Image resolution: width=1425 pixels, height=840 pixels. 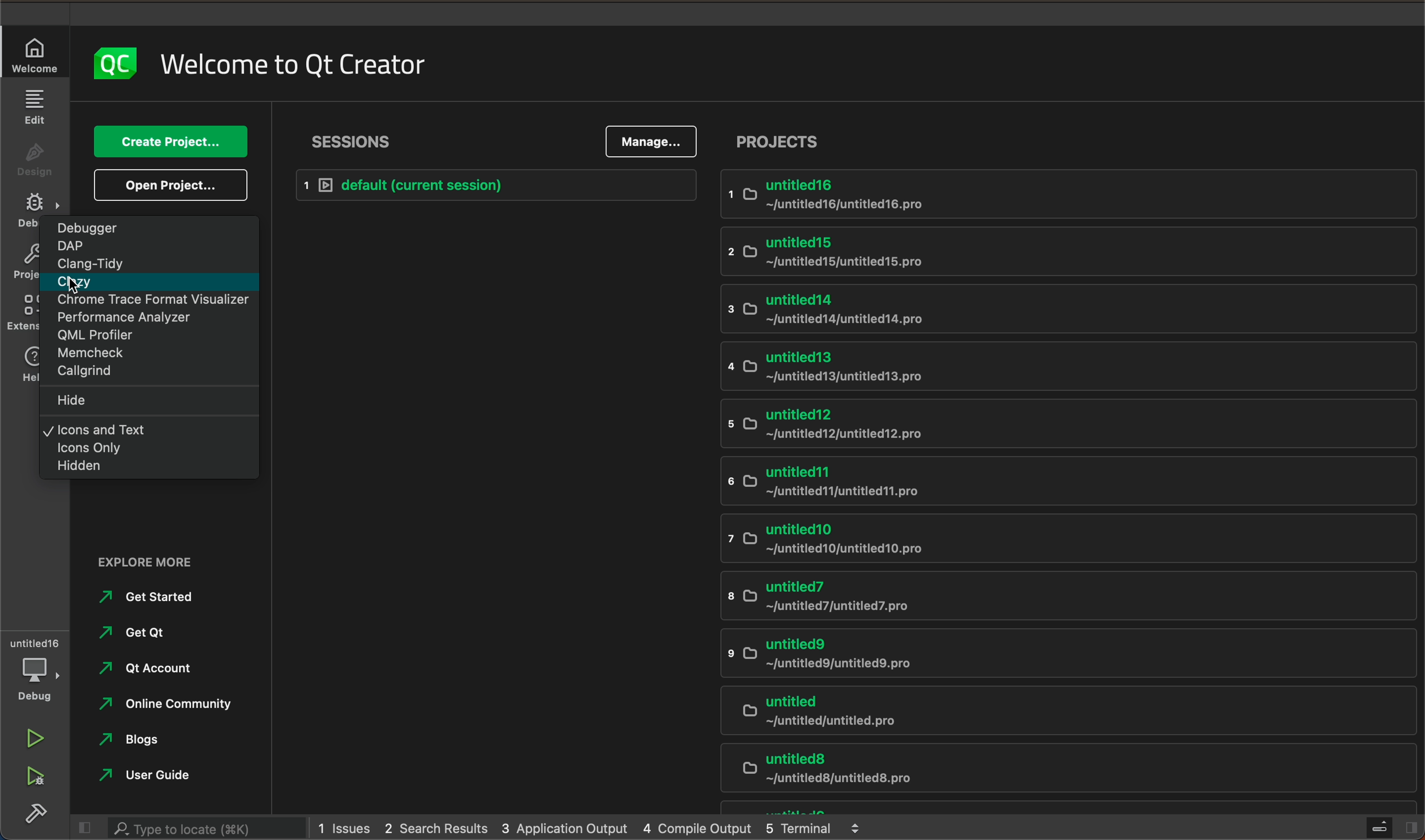 I want to click on hidden, so click(x=146, y=468).